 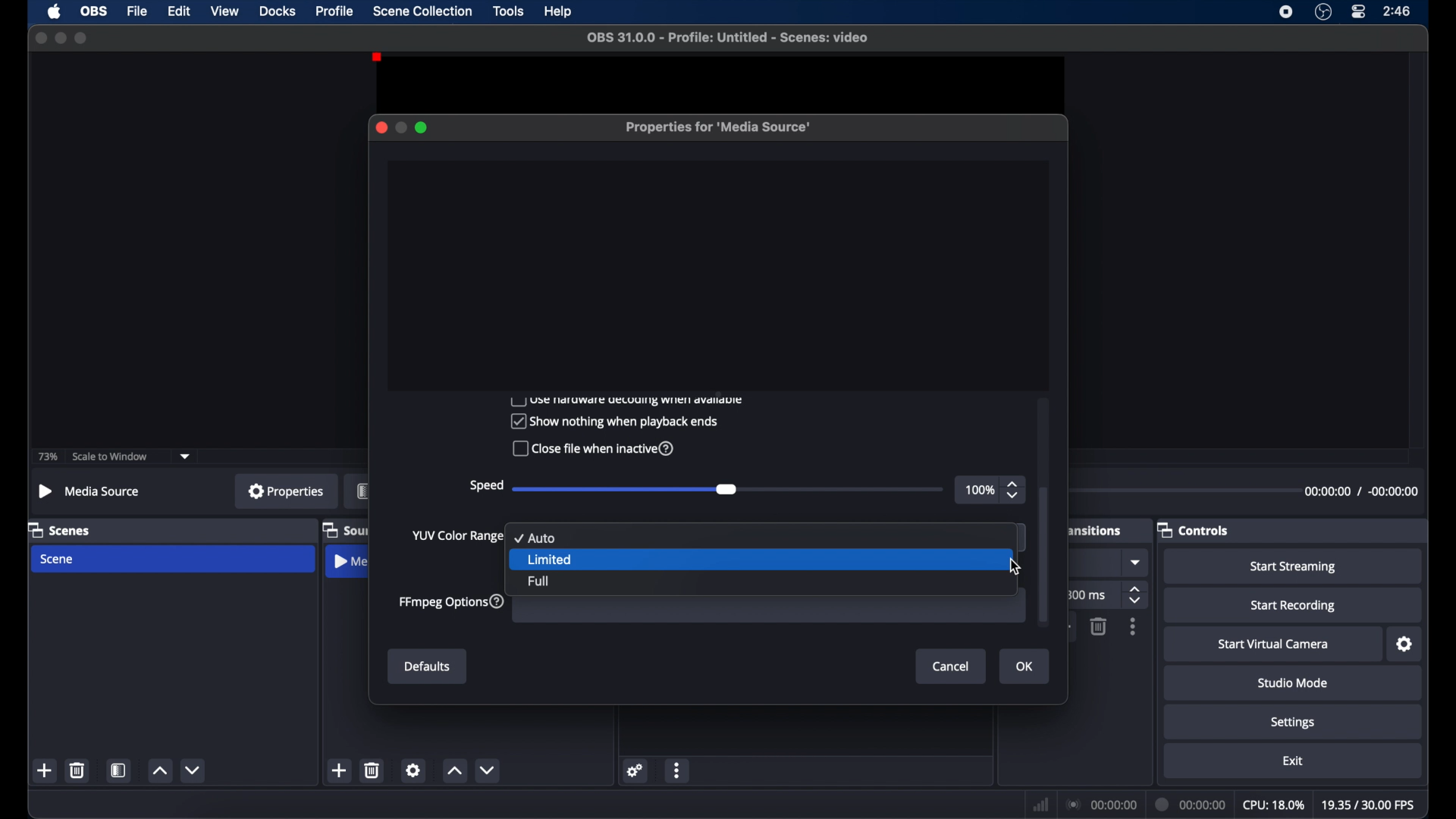 What do you see at coordinates (1294, 606) in the screenshot?
I see `start recording` at bounding box center [1294, 606].